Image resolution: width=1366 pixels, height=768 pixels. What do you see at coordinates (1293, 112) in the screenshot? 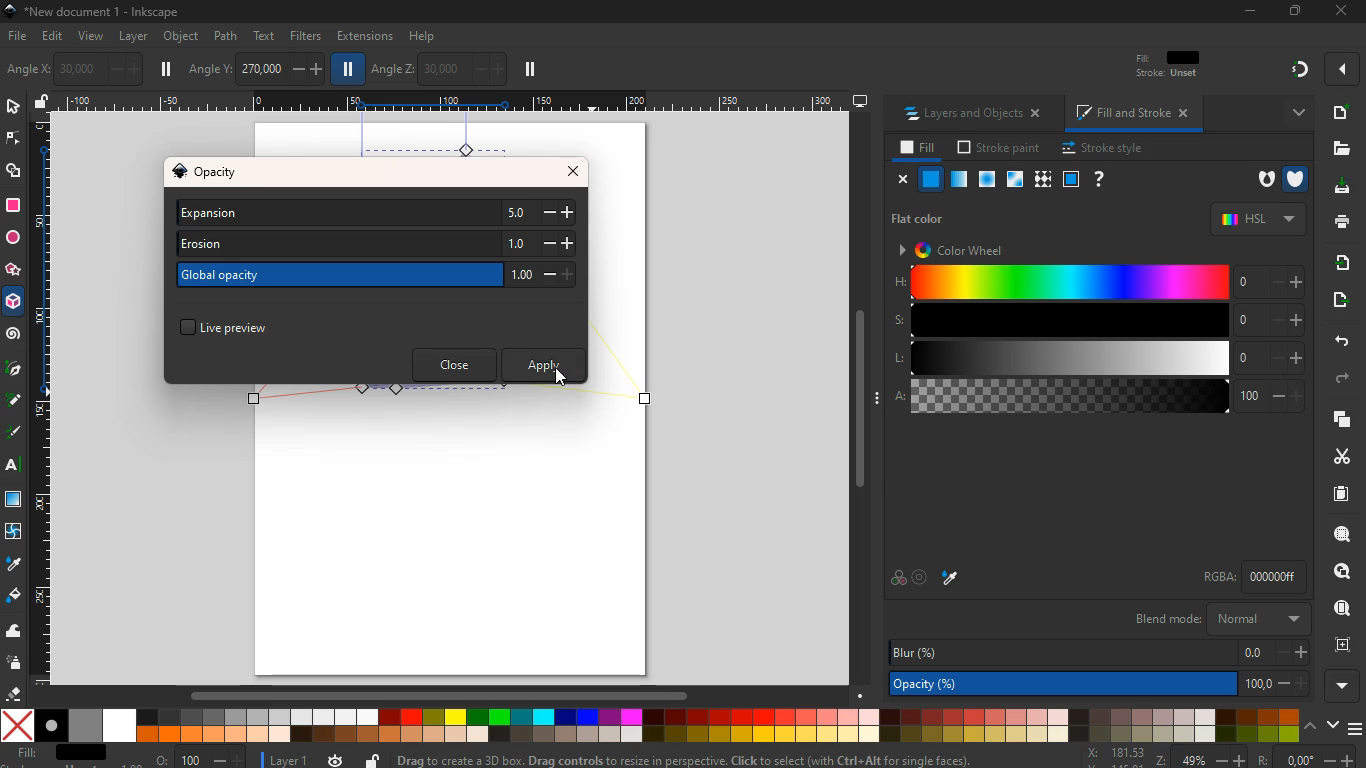
I see `more` at bounding box center [1293, 112].